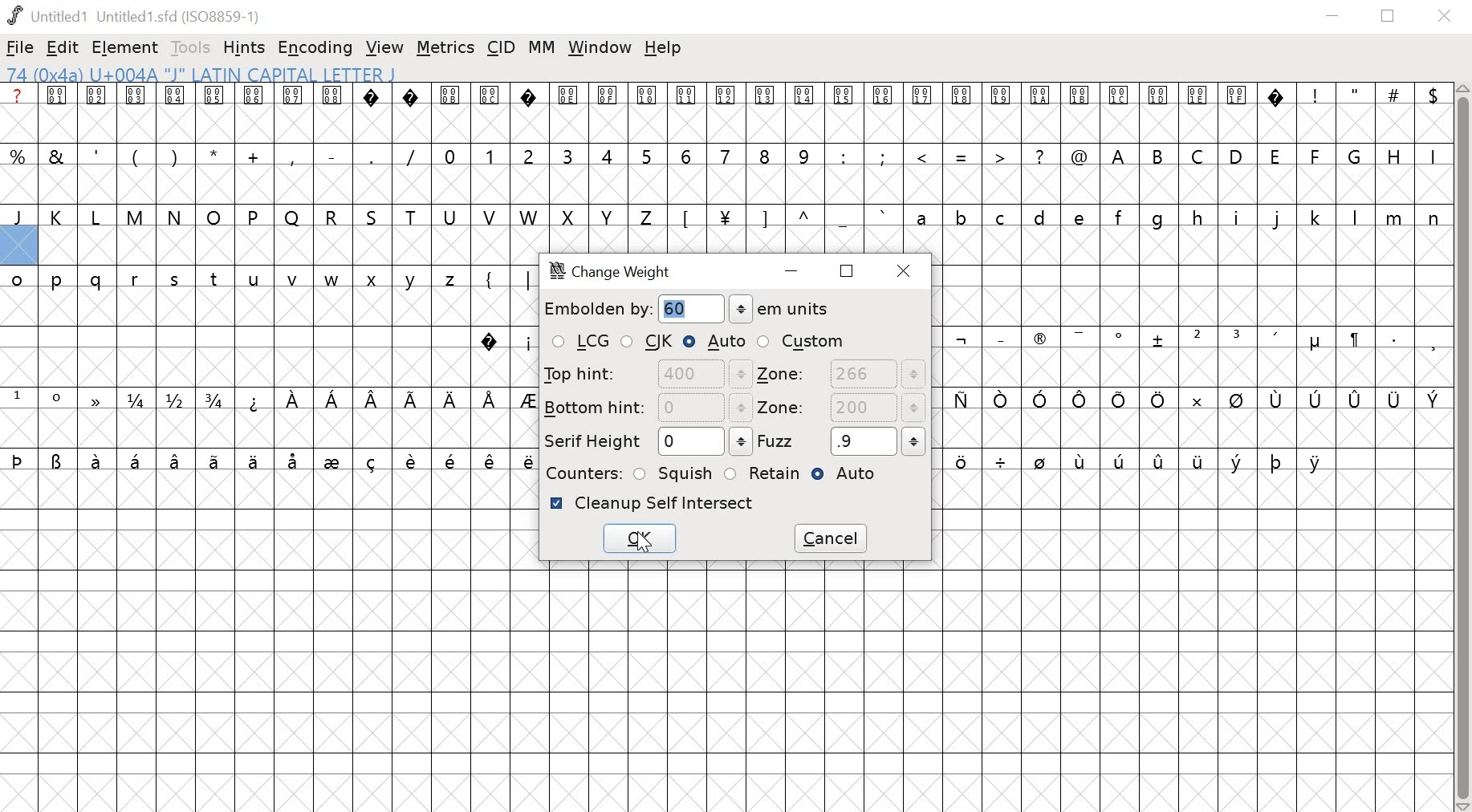  Describe the element at coordinates (841, 375) in the screenshot. I see `ZONE` at that location.